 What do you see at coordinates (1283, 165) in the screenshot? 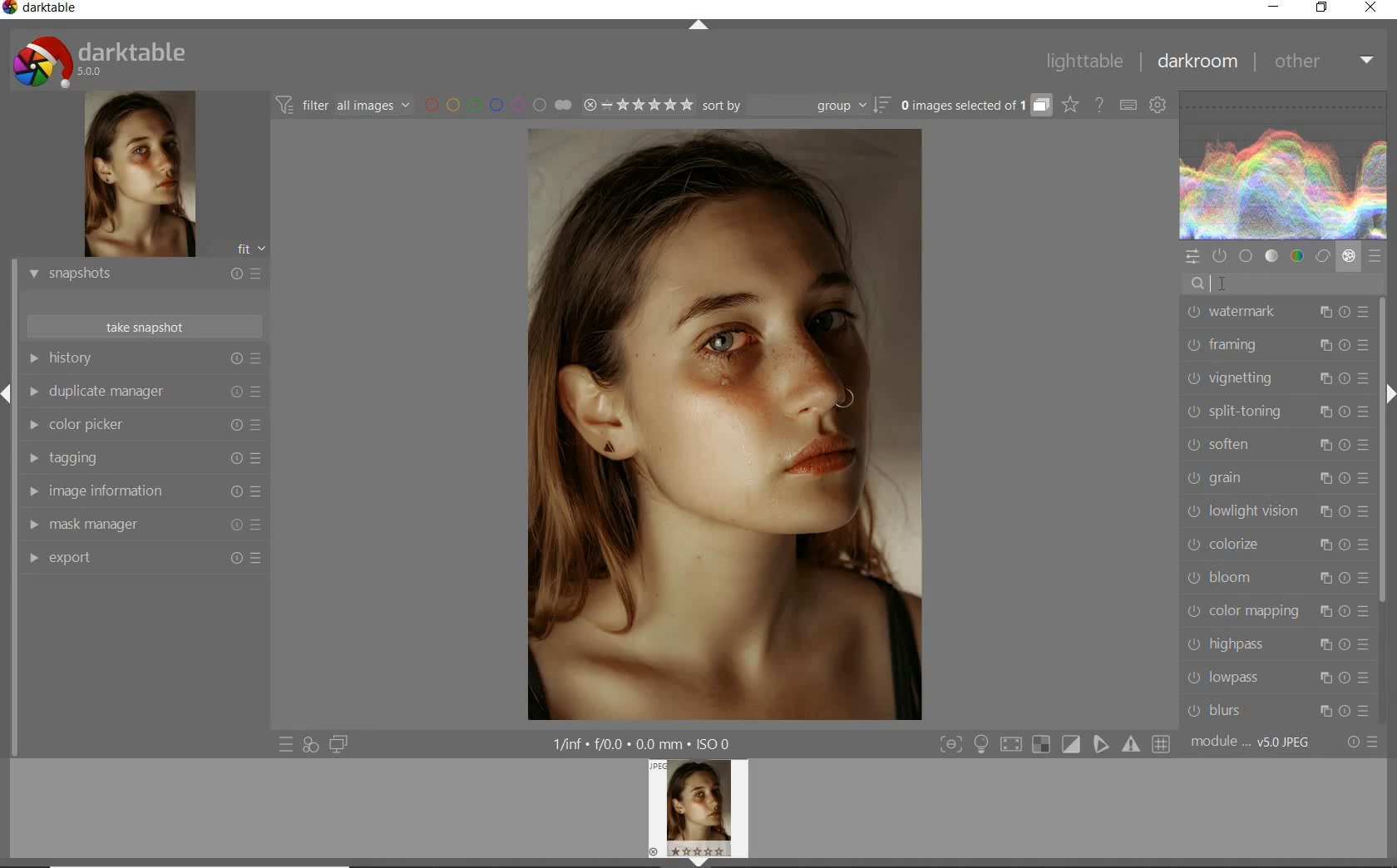
I see `WAVEFORM` at bounding box center [1283, 165].